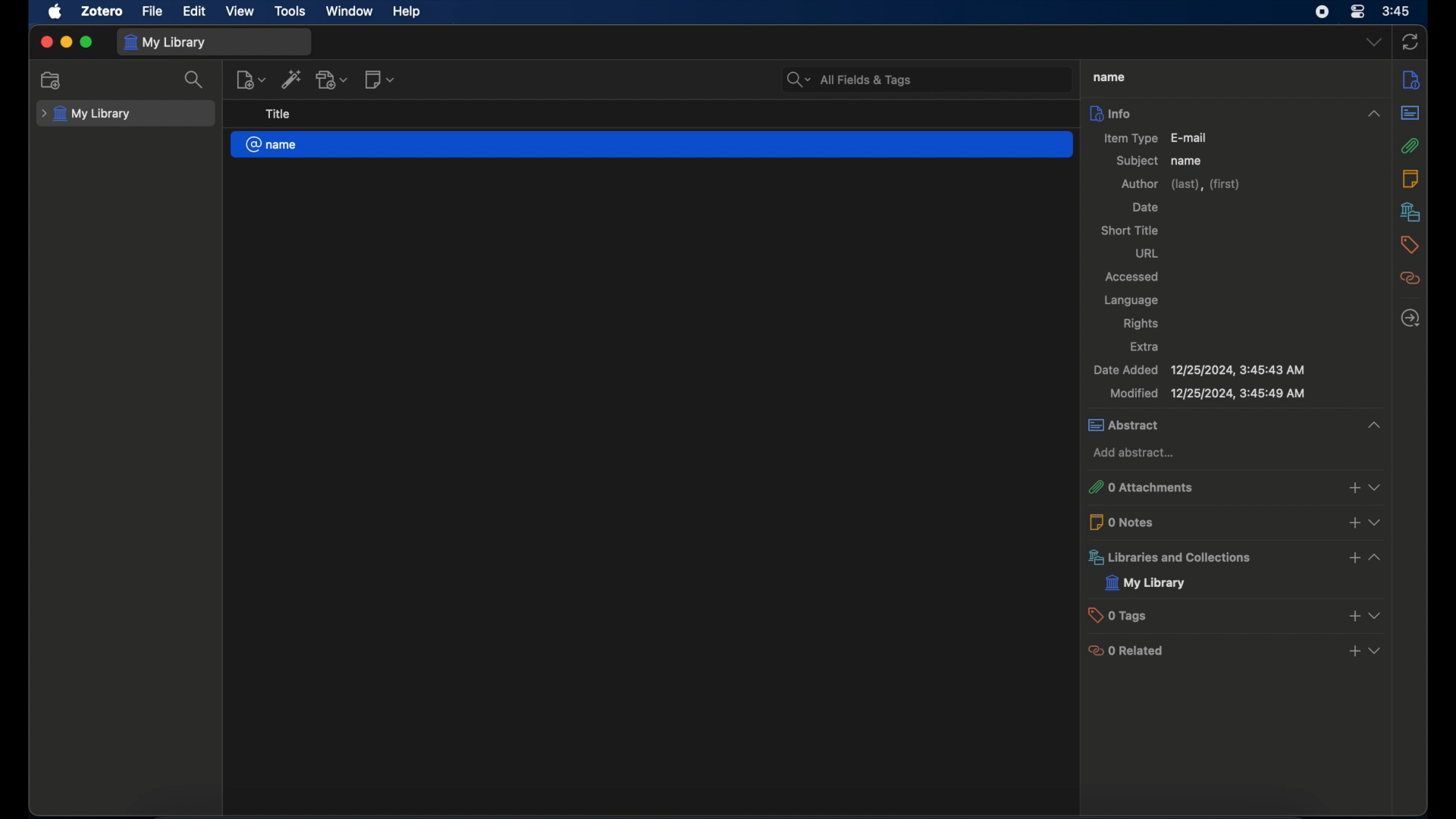  I want to click on date, so click(1145, 209).